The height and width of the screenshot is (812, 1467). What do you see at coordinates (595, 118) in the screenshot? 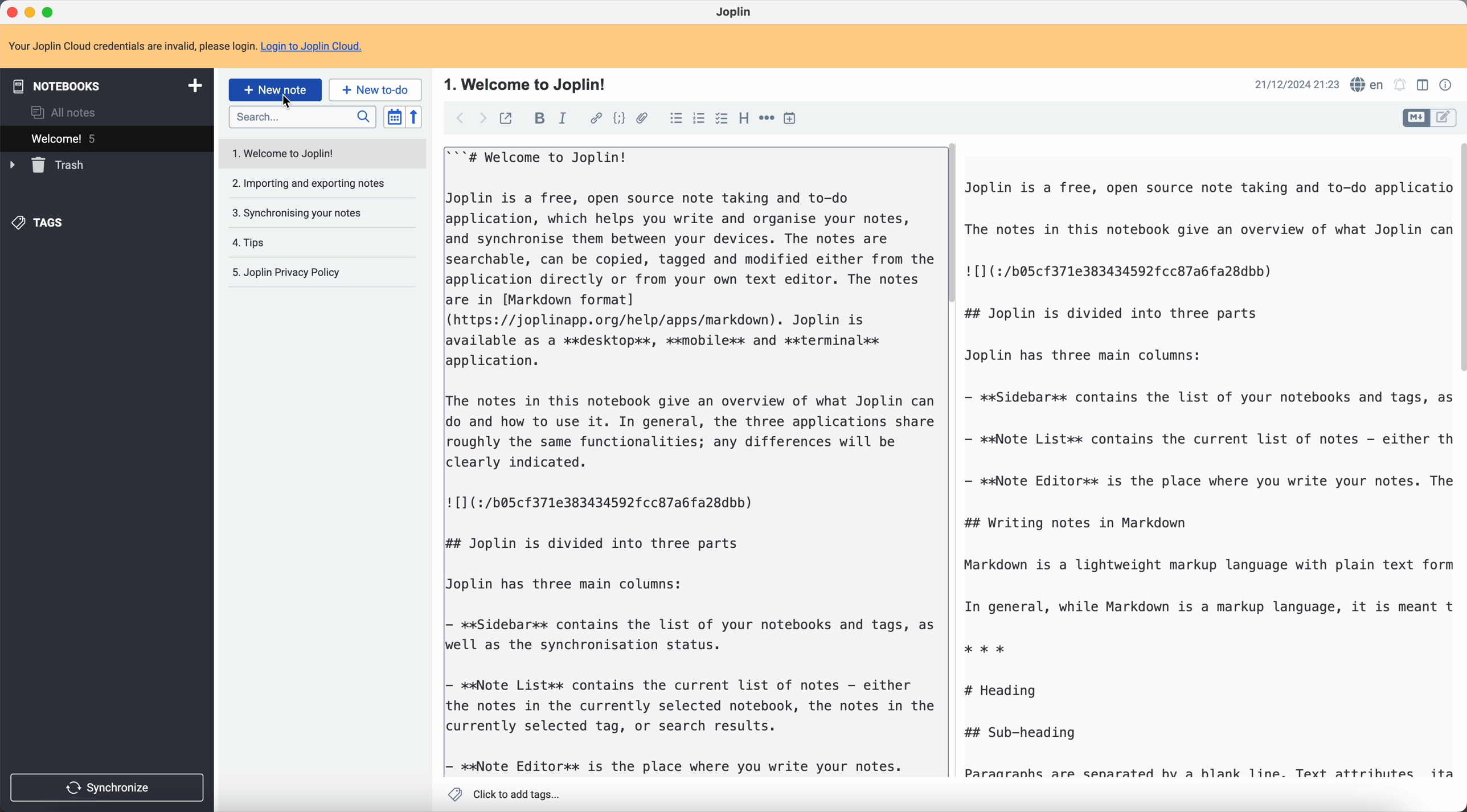
I see `hyperlink` at bounding box center [595, 118].